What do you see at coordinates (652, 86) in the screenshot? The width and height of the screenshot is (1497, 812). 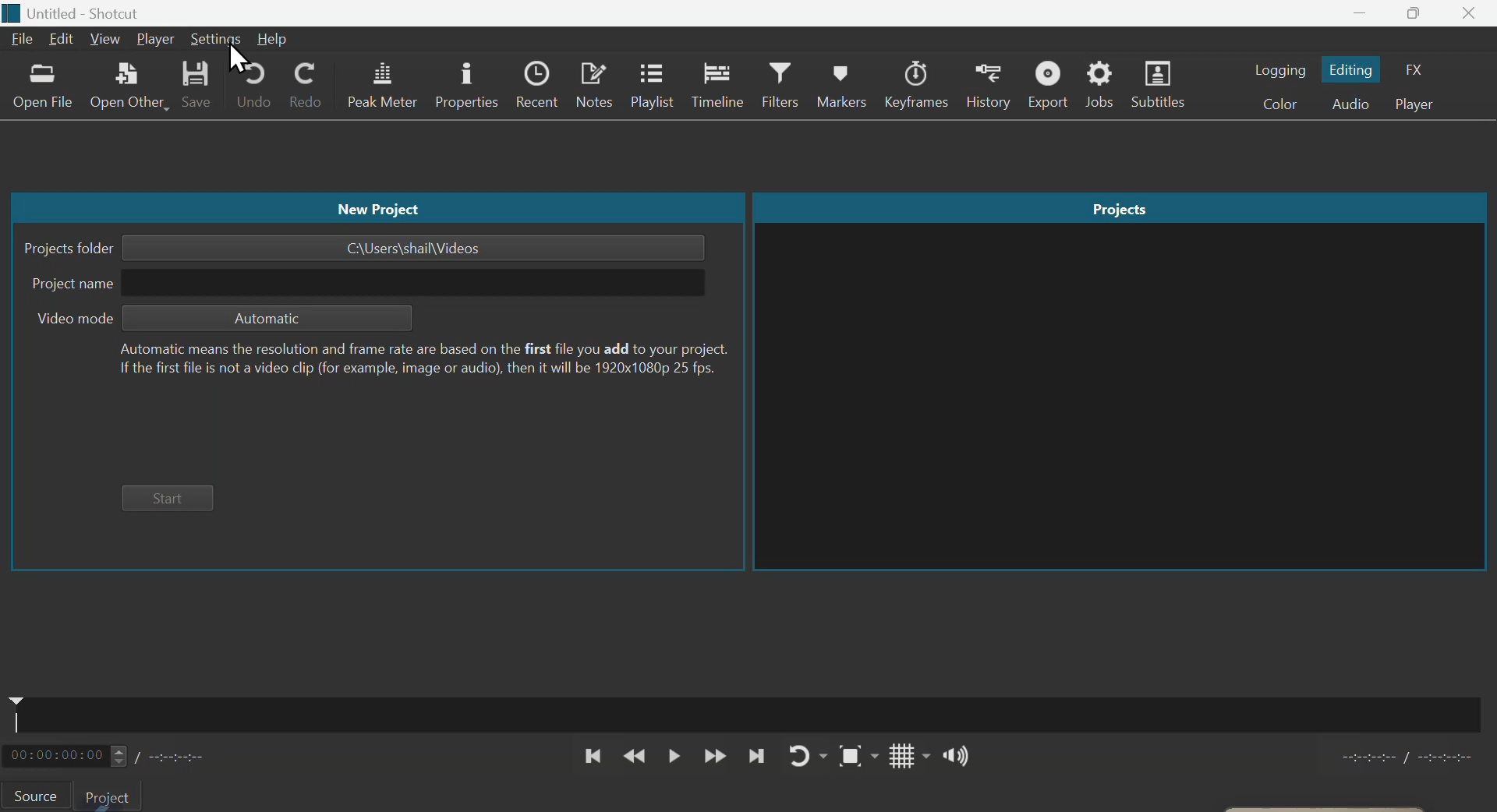 I see `Playlist` at bounding box center [652, 86].